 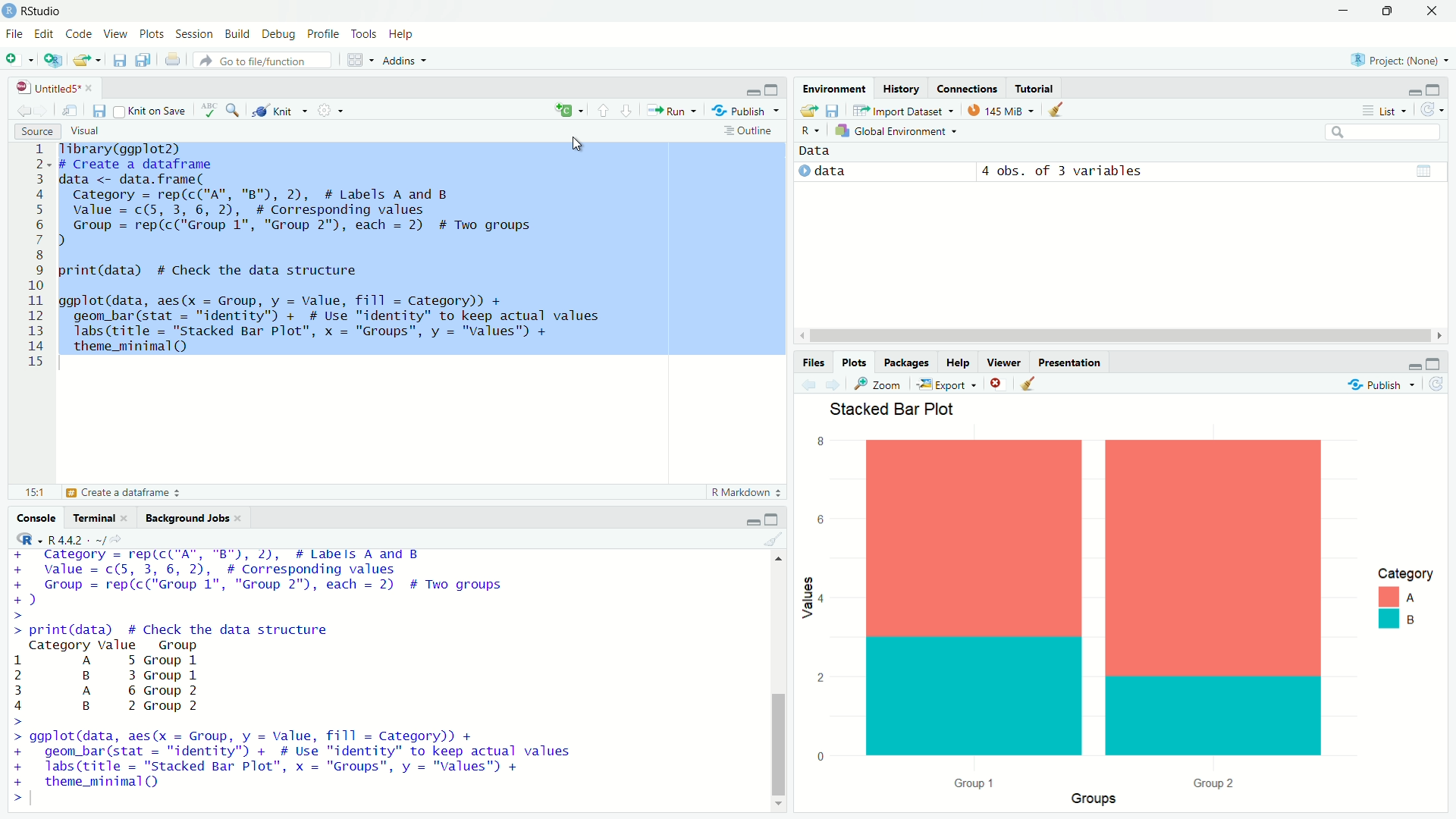 What do you see at coordinates (1401, 58) in the screenshot?
I see `Project (Note)` at bounding box center [1401, 58].